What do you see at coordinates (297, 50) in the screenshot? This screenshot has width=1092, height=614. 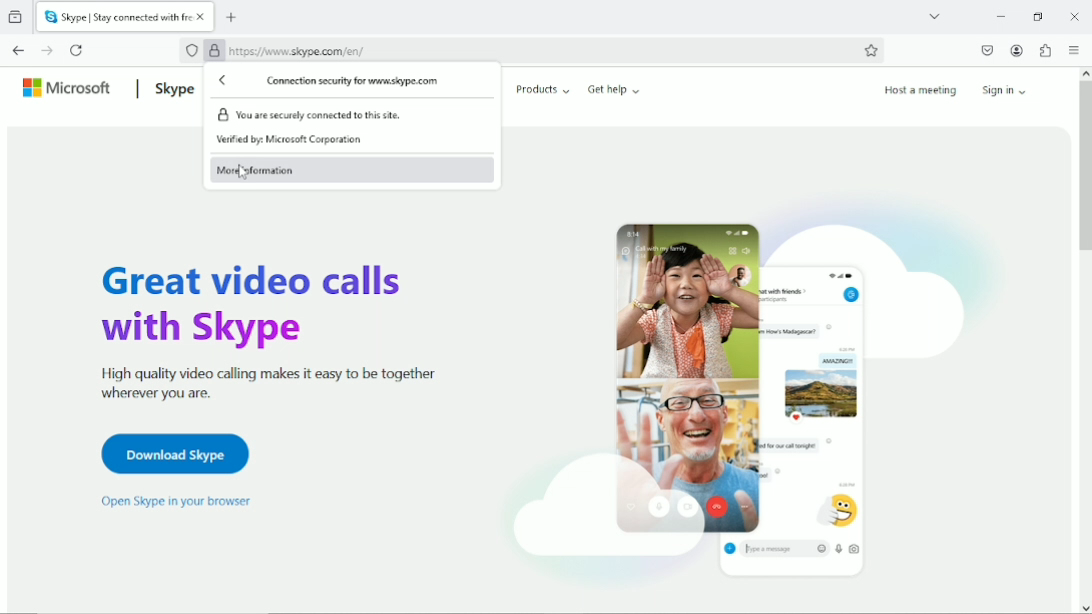 I see `httpsy//www.skype.com/en/` at bounding box center [297, 50].